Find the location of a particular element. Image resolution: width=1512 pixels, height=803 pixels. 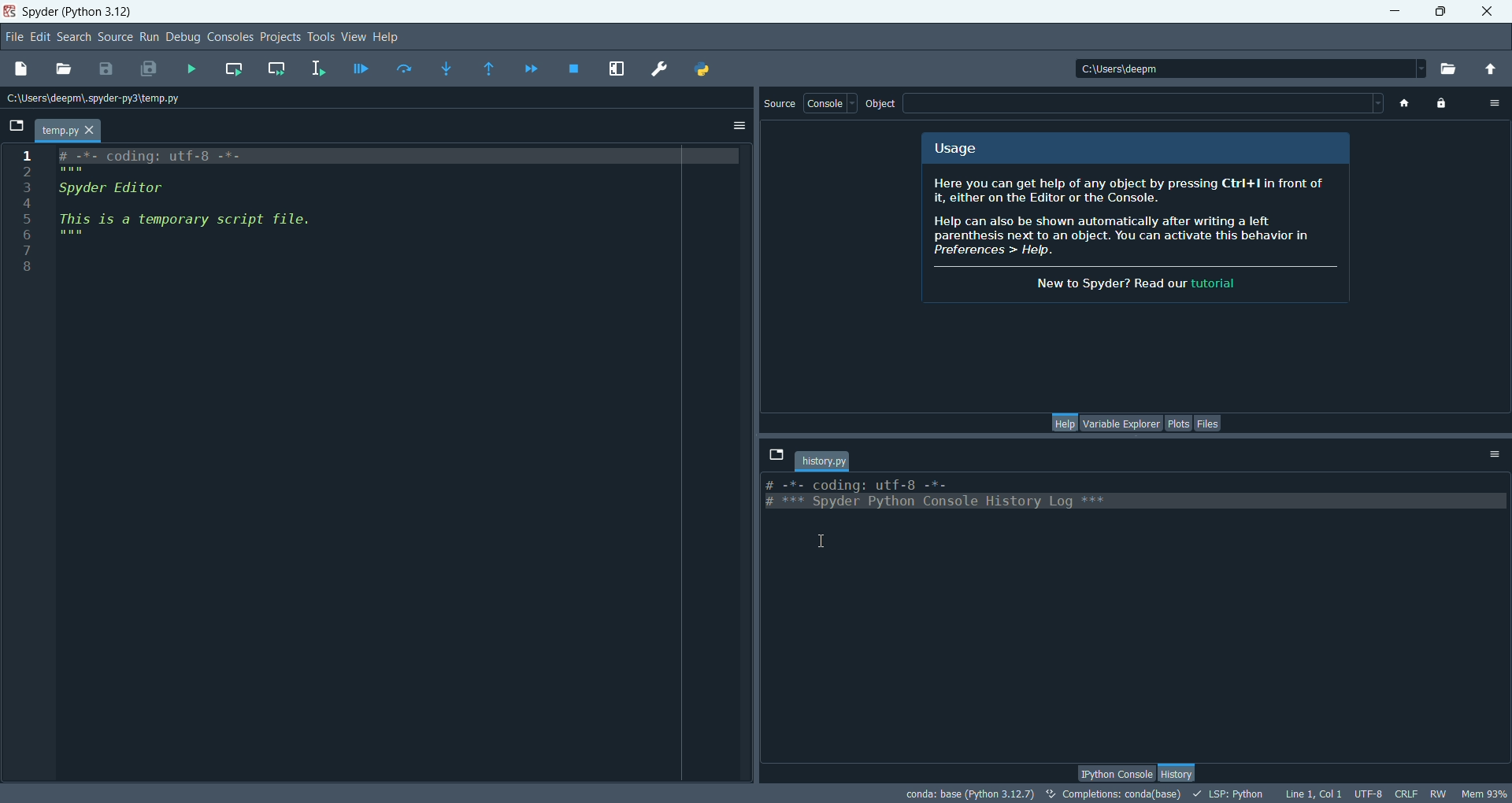

browse tabs is located at coordinates (776, 453).